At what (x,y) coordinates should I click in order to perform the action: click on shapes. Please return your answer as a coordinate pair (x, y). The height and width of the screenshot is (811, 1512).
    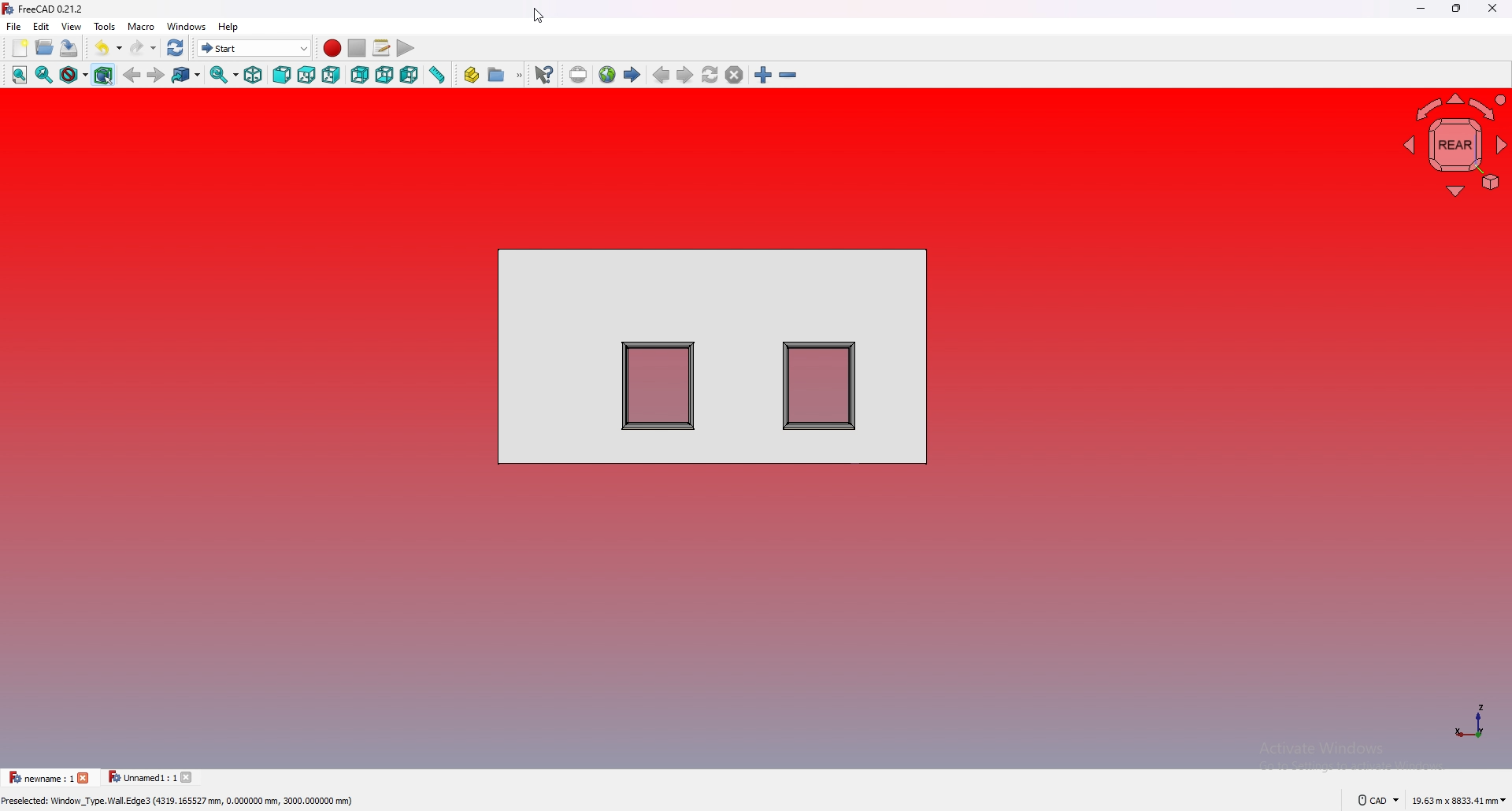
    Looking at the image, I should click on (711, 355).